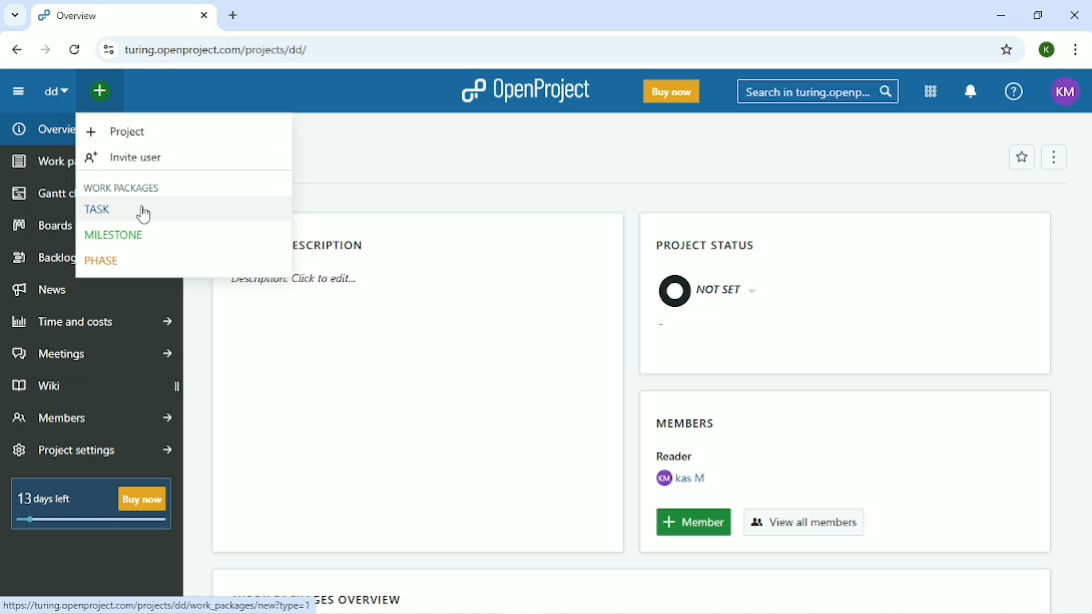  Describe the element at coordinates (123, 187) in the screenshot. I see `Work packages` at that location.